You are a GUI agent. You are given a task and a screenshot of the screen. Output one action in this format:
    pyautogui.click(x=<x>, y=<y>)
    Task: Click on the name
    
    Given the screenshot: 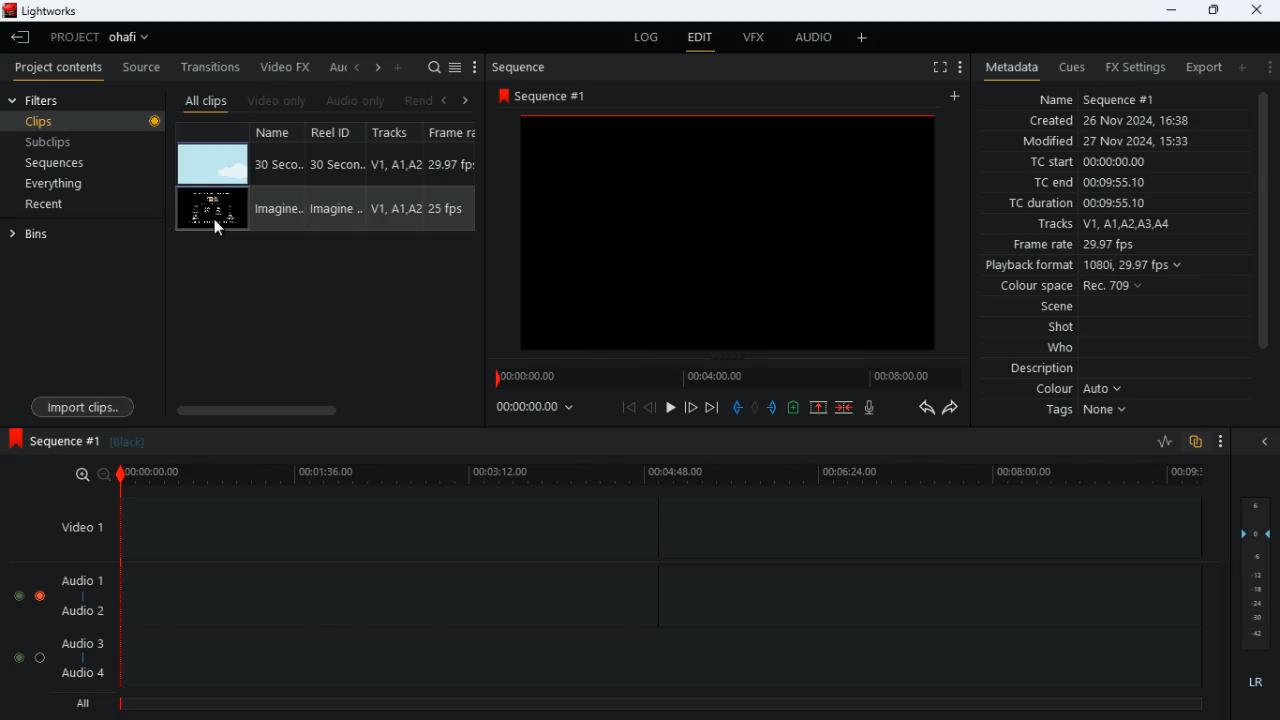 What is the action you would take?
    pyautogui.click(x=1120, y=100)
    